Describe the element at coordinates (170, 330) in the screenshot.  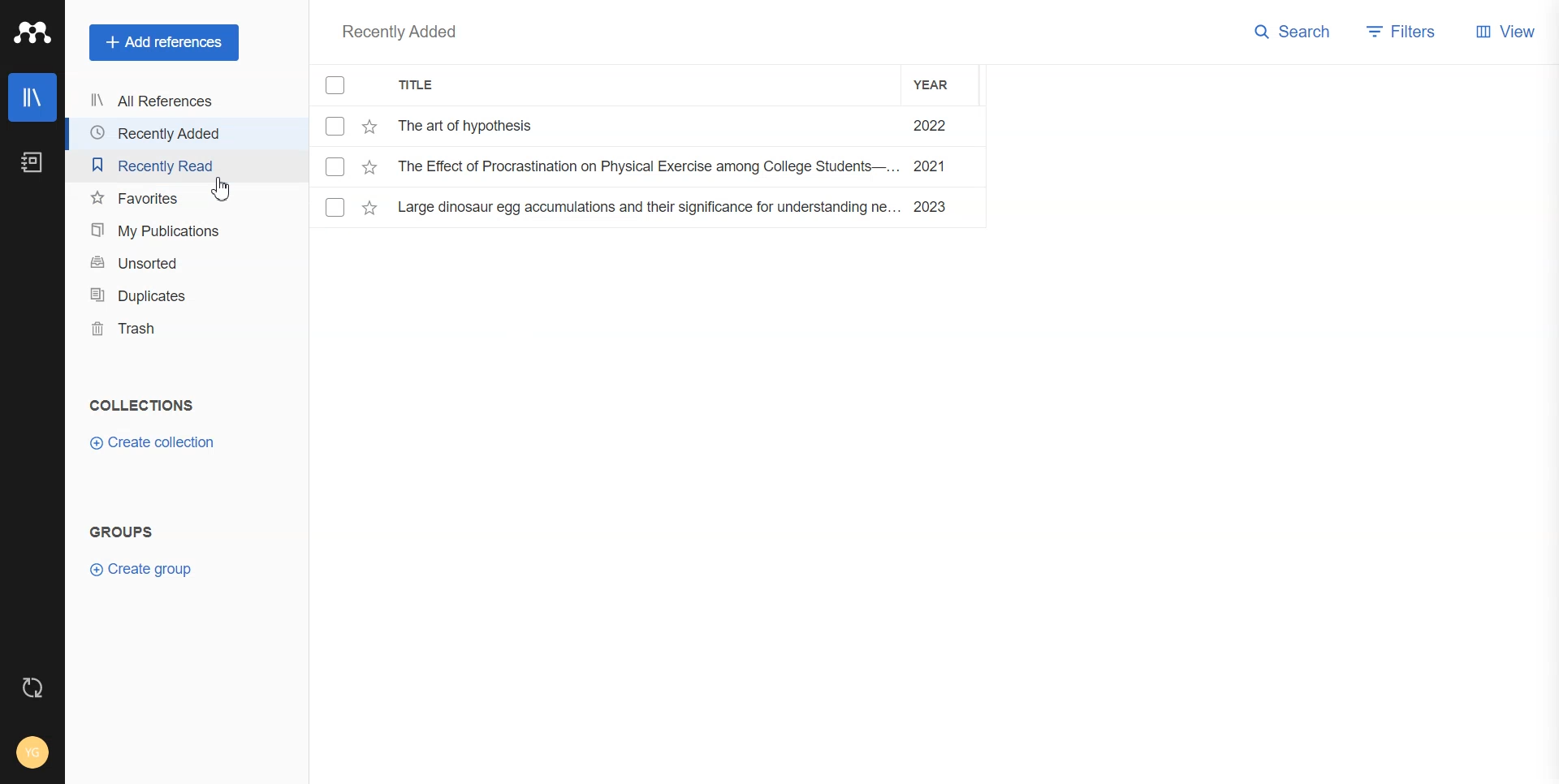
I see `Trash` at that location.